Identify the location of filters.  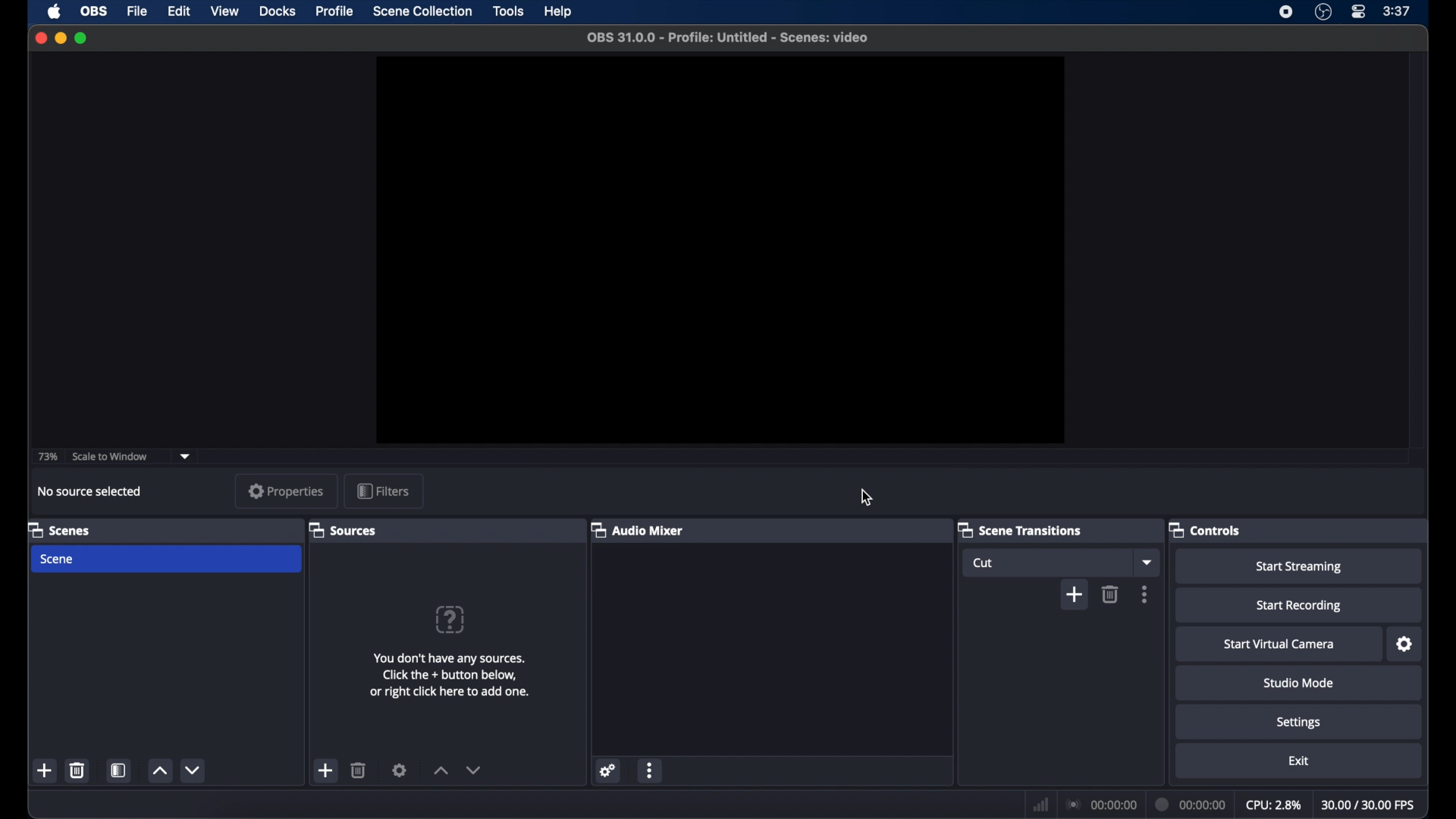
(382, 490).